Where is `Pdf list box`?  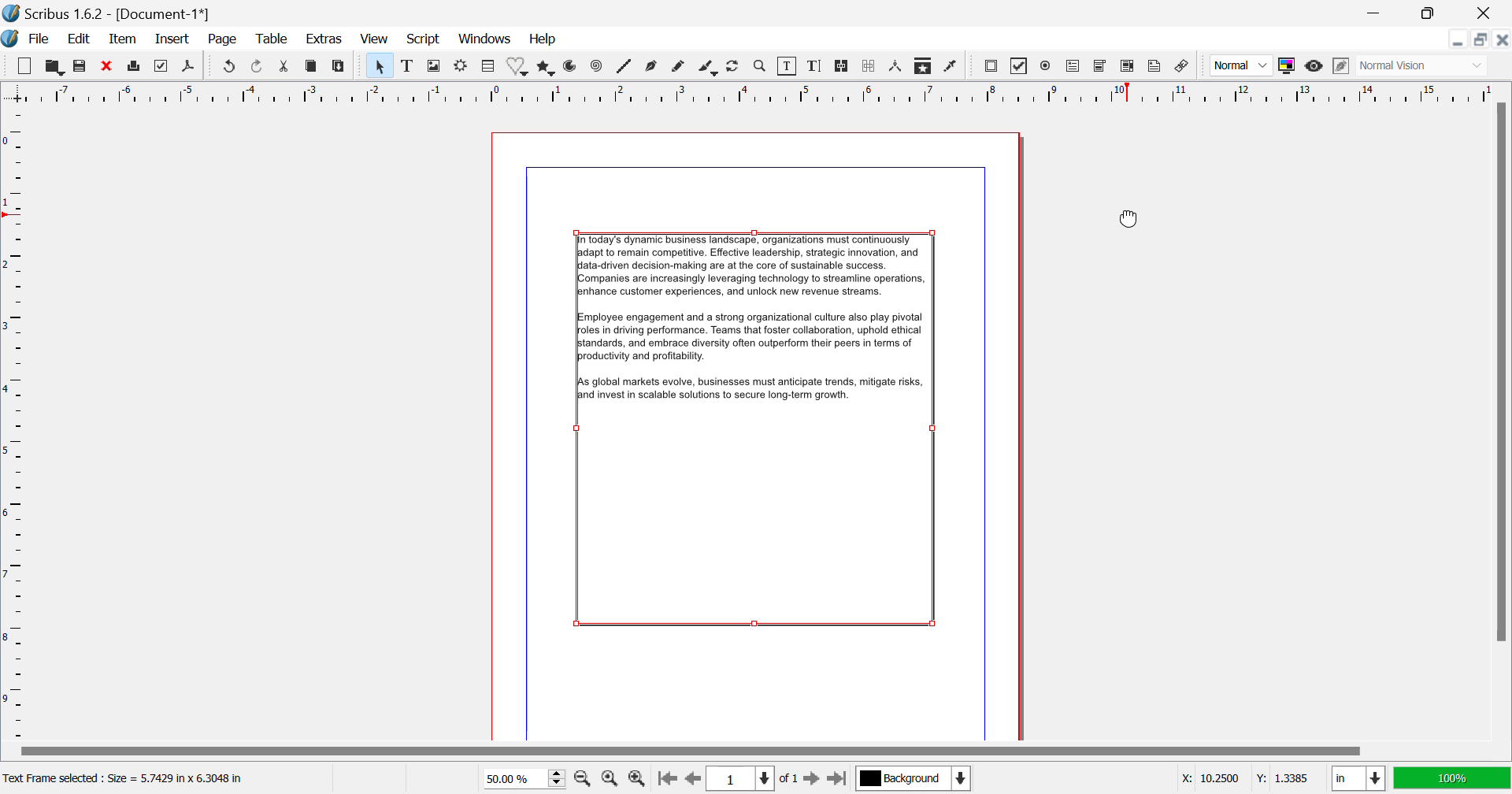
Pdf list box is located at coordinates (1129, 67).